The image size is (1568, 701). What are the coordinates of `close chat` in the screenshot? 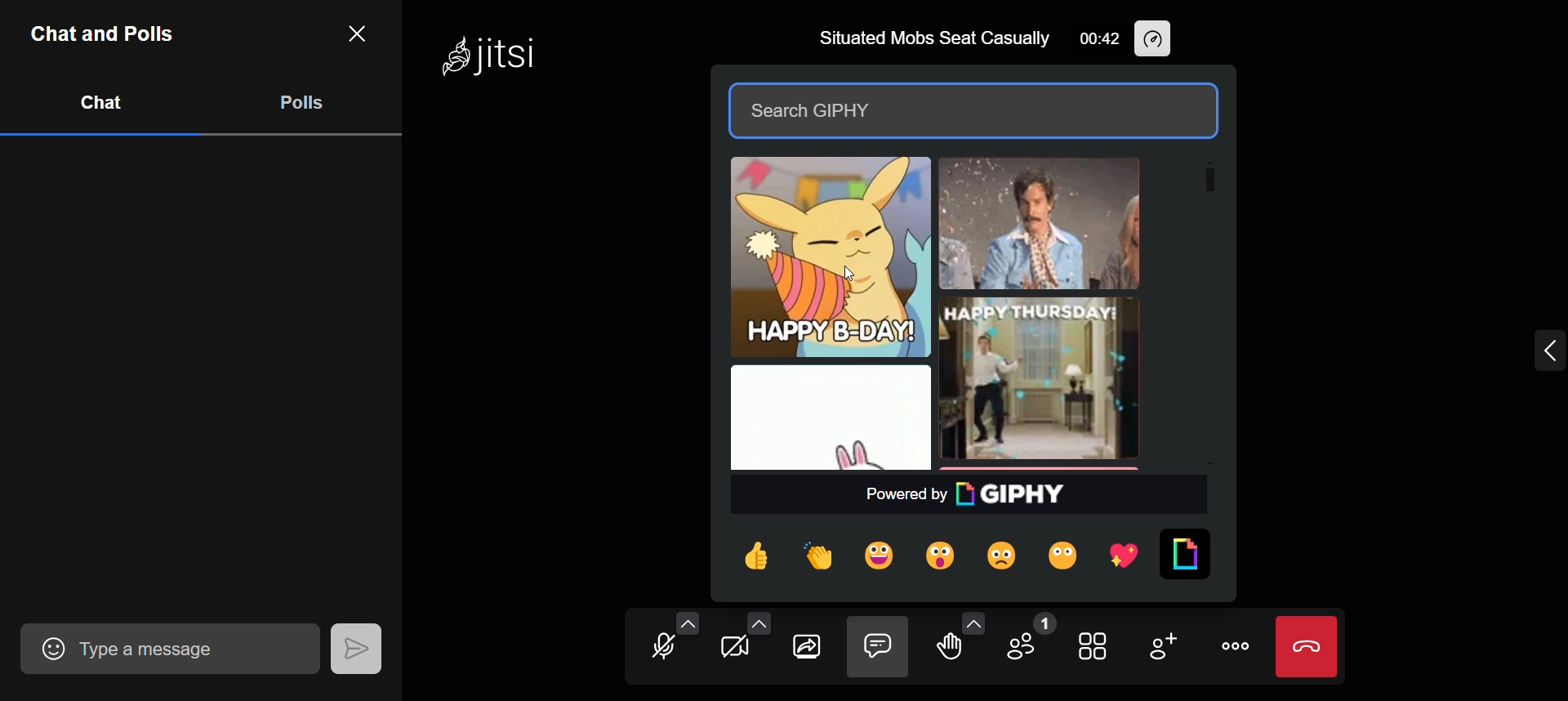 It's located at (877, 646).